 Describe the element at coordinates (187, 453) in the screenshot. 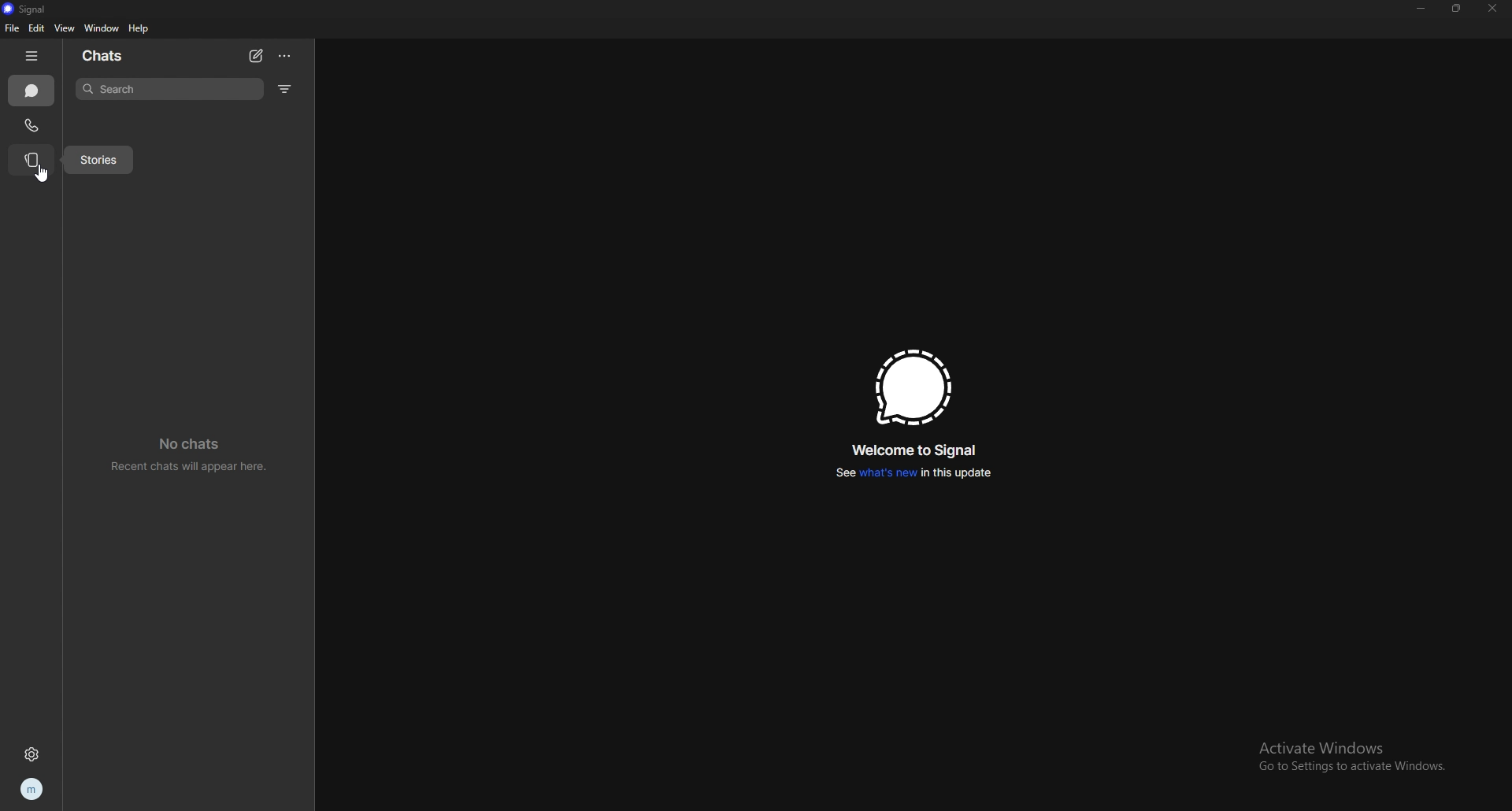

I see `no chats recent chats will appear here` at that location.